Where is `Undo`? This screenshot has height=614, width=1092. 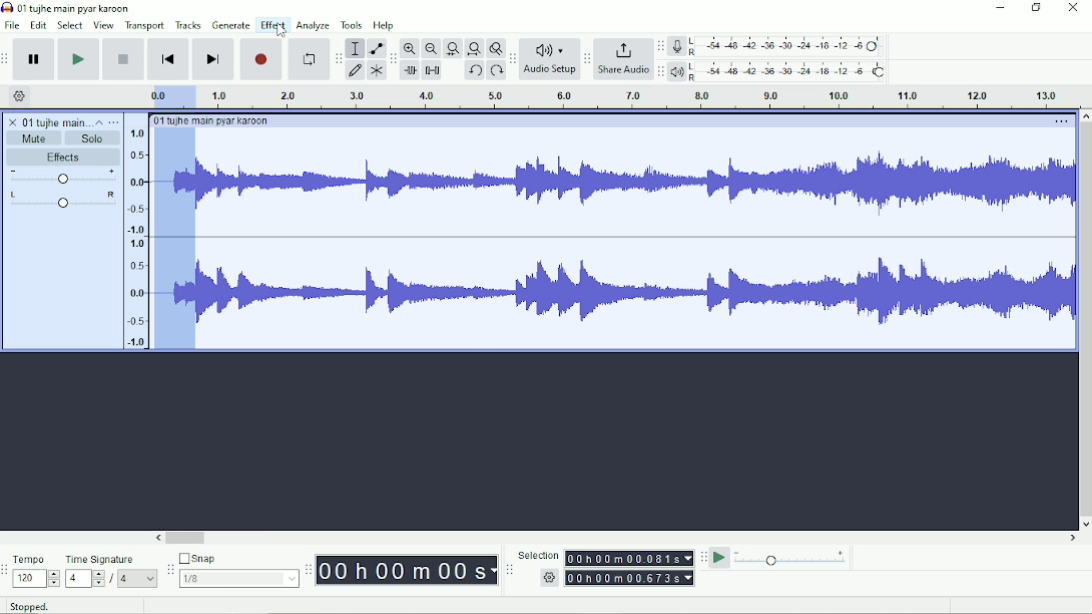 Undo is located at coordinates (475, 72).